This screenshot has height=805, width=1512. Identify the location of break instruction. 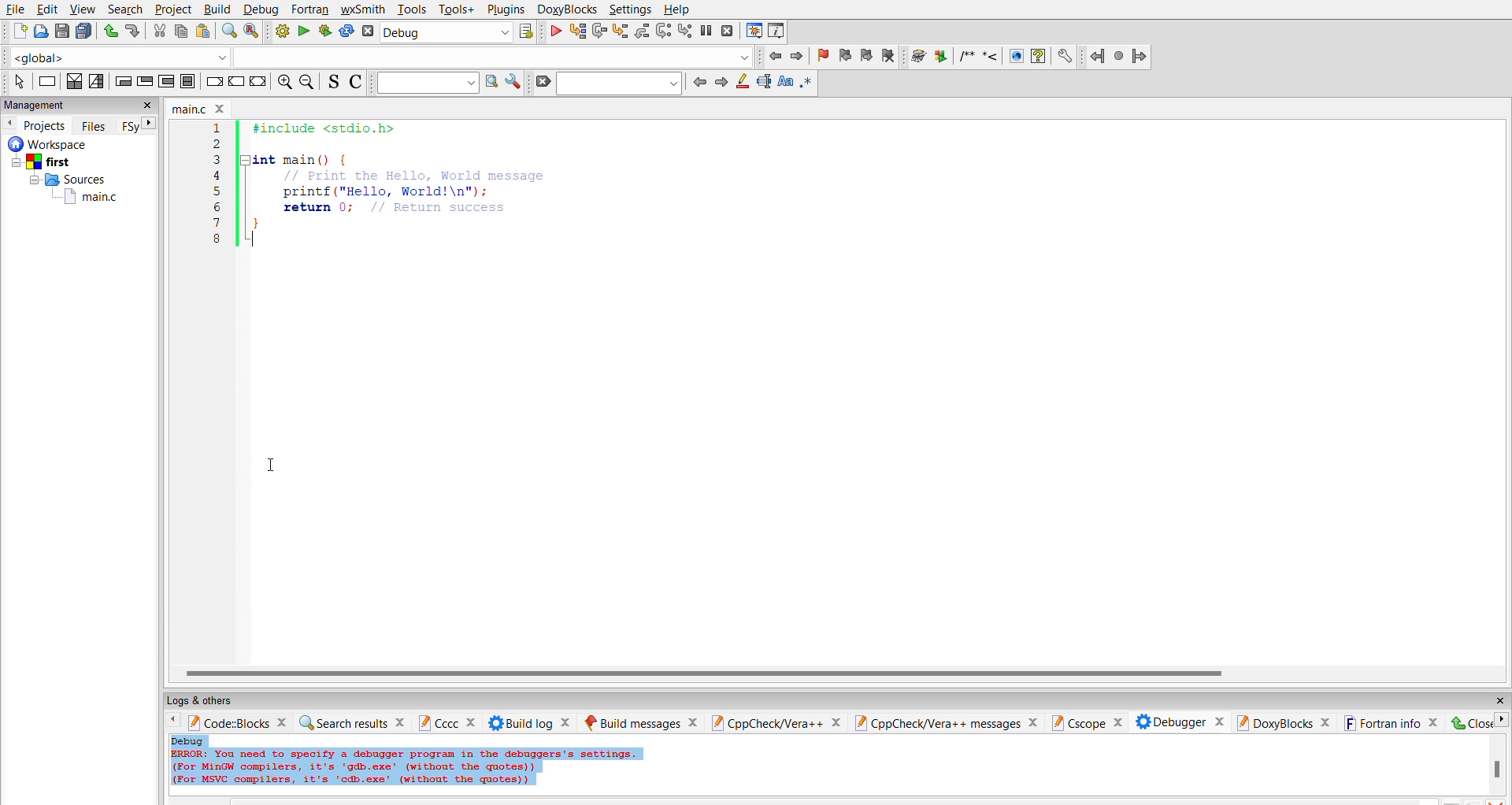
(216, 82).